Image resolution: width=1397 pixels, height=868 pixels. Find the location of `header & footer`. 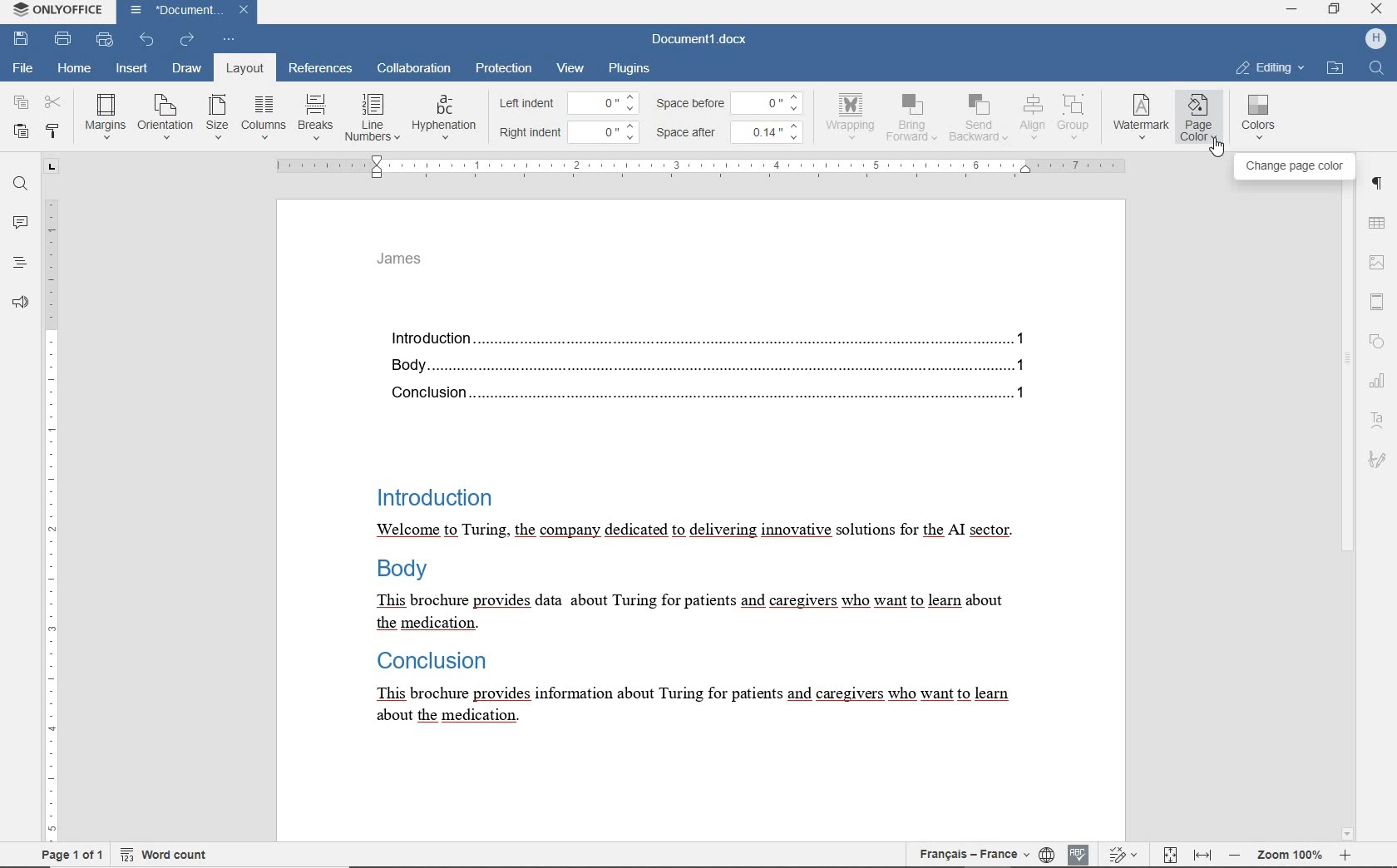

header & footer is located at coordinates (1378, 303).